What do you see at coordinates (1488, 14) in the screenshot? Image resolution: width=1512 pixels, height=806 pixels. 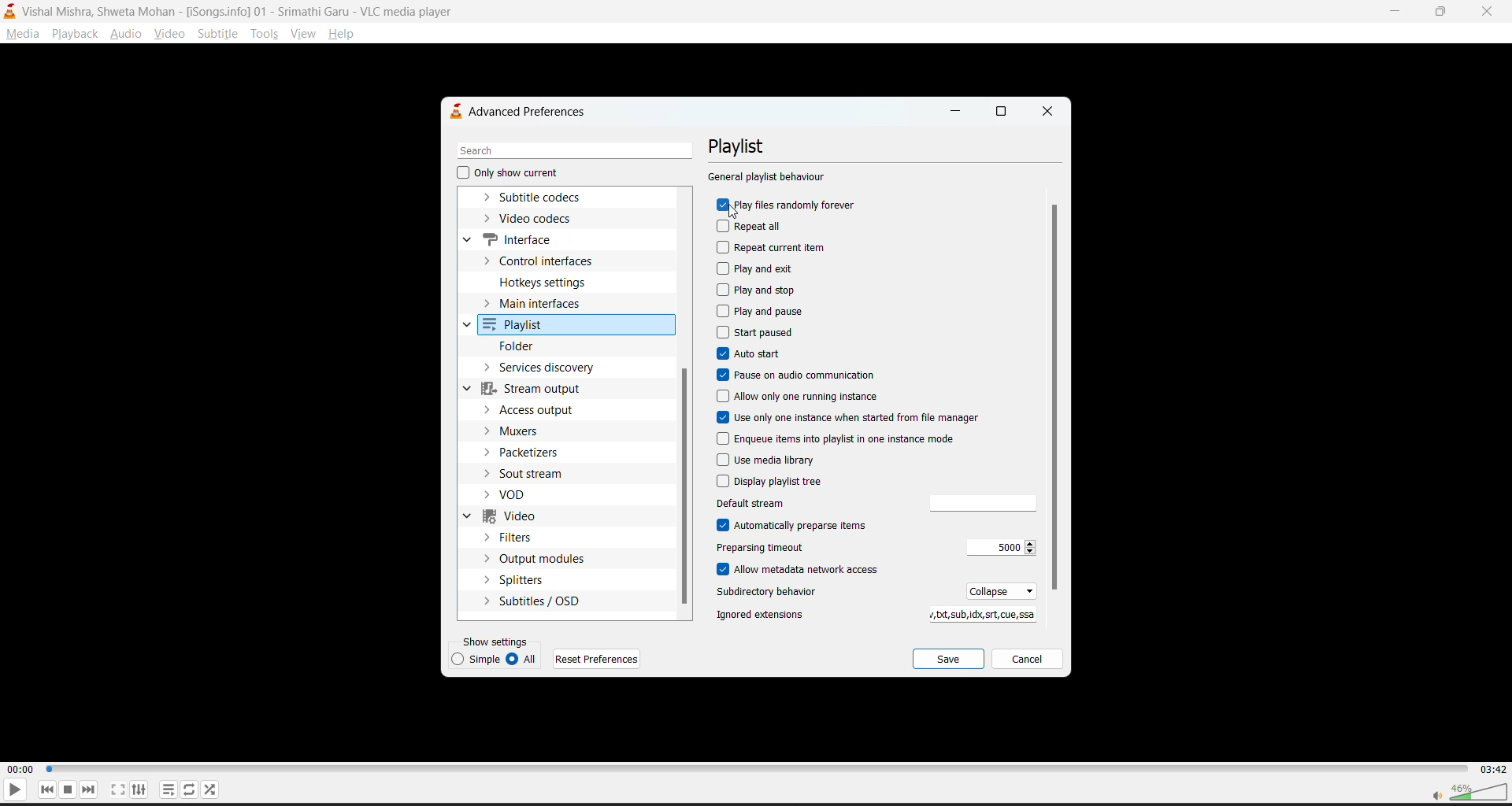 I see `close` at bounding box center [1488, 14].